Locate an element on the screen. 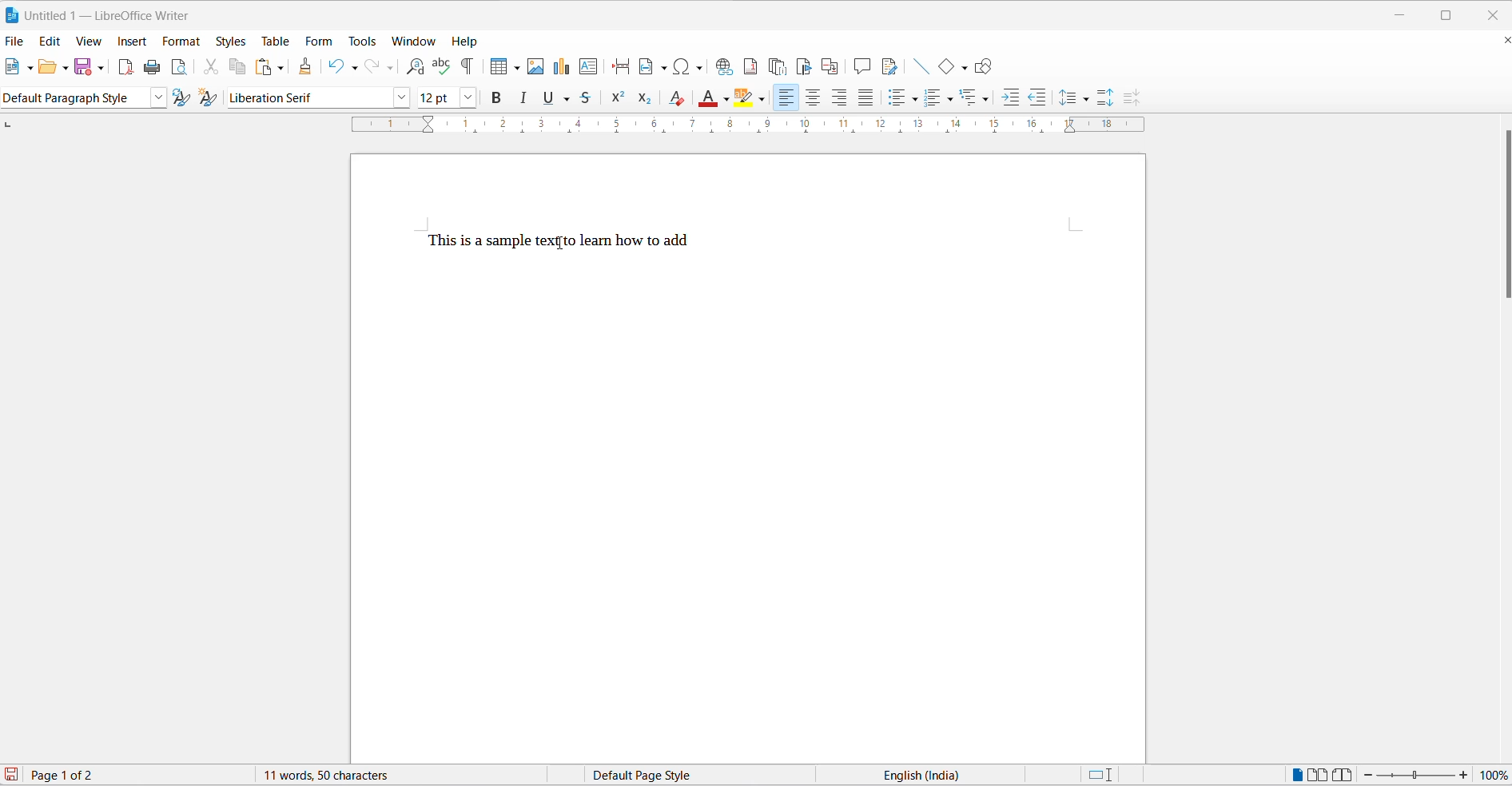 The height and width of the screenshot is (786, 1512). open is located at coordinates (50, 67).